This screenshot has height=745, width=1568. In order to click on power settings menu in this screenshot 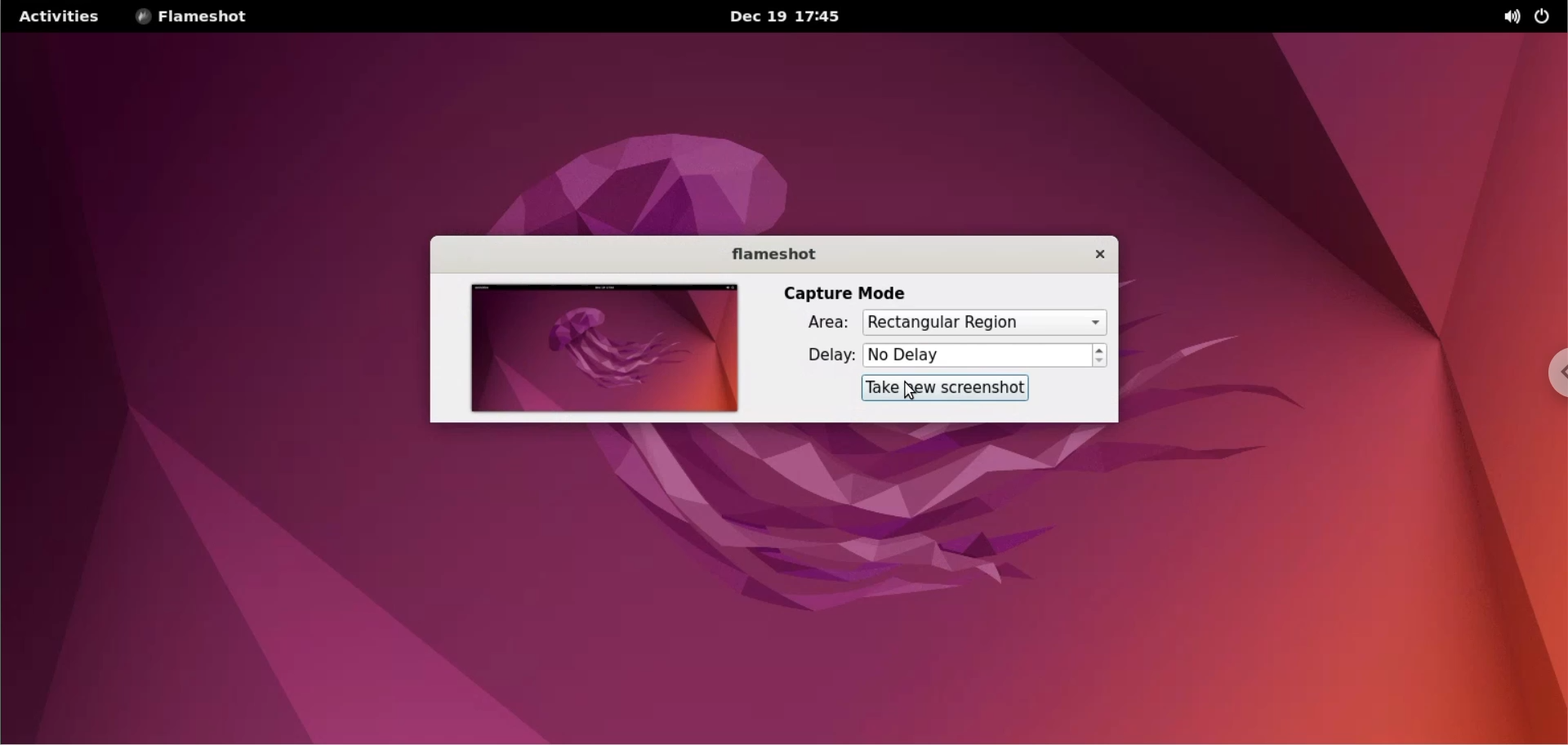, I will do `click(1548, 16)`.